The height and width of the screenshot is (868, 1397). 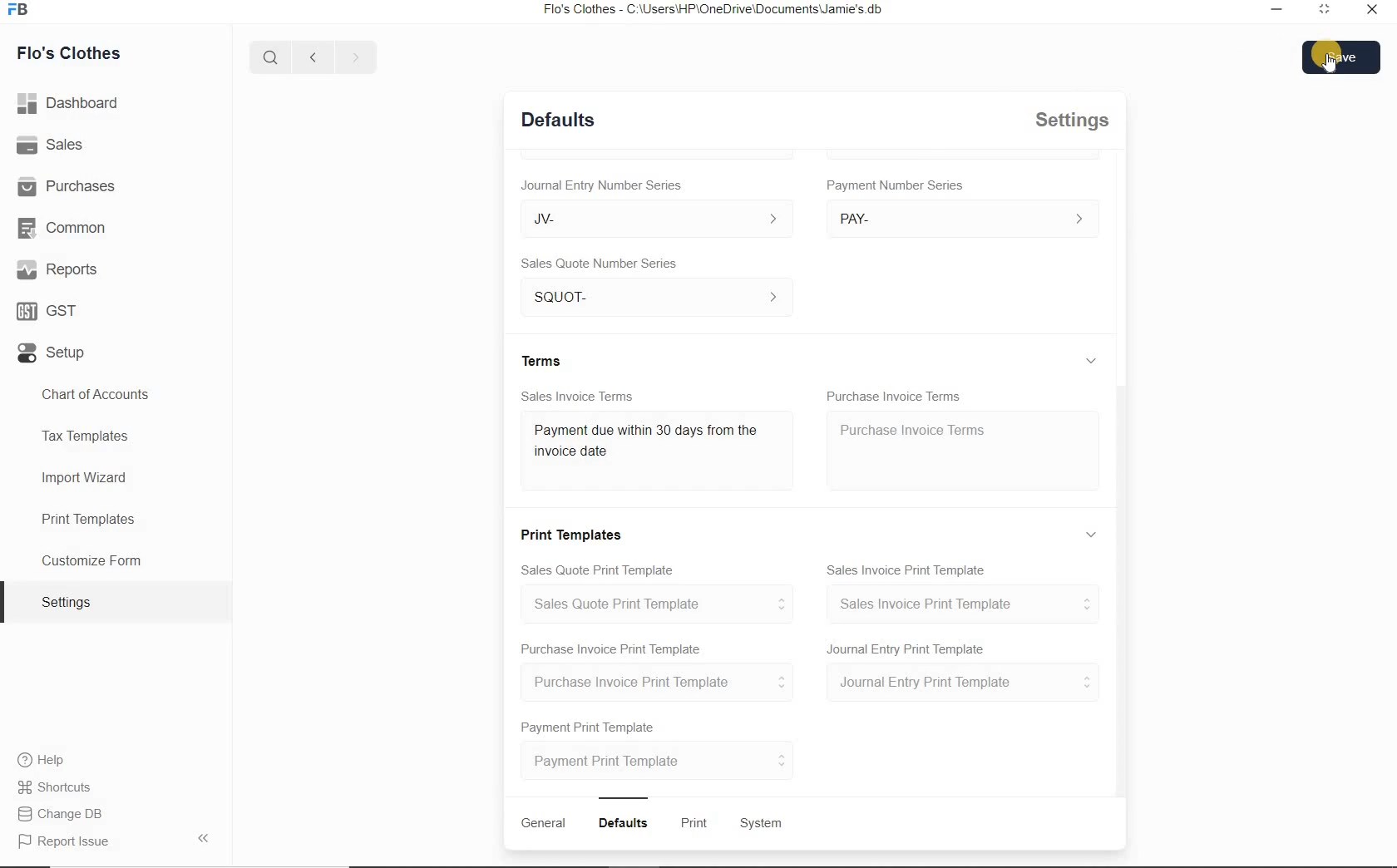 I want to click on Purchase Invoice Print Template, so click(x=612, y=650).